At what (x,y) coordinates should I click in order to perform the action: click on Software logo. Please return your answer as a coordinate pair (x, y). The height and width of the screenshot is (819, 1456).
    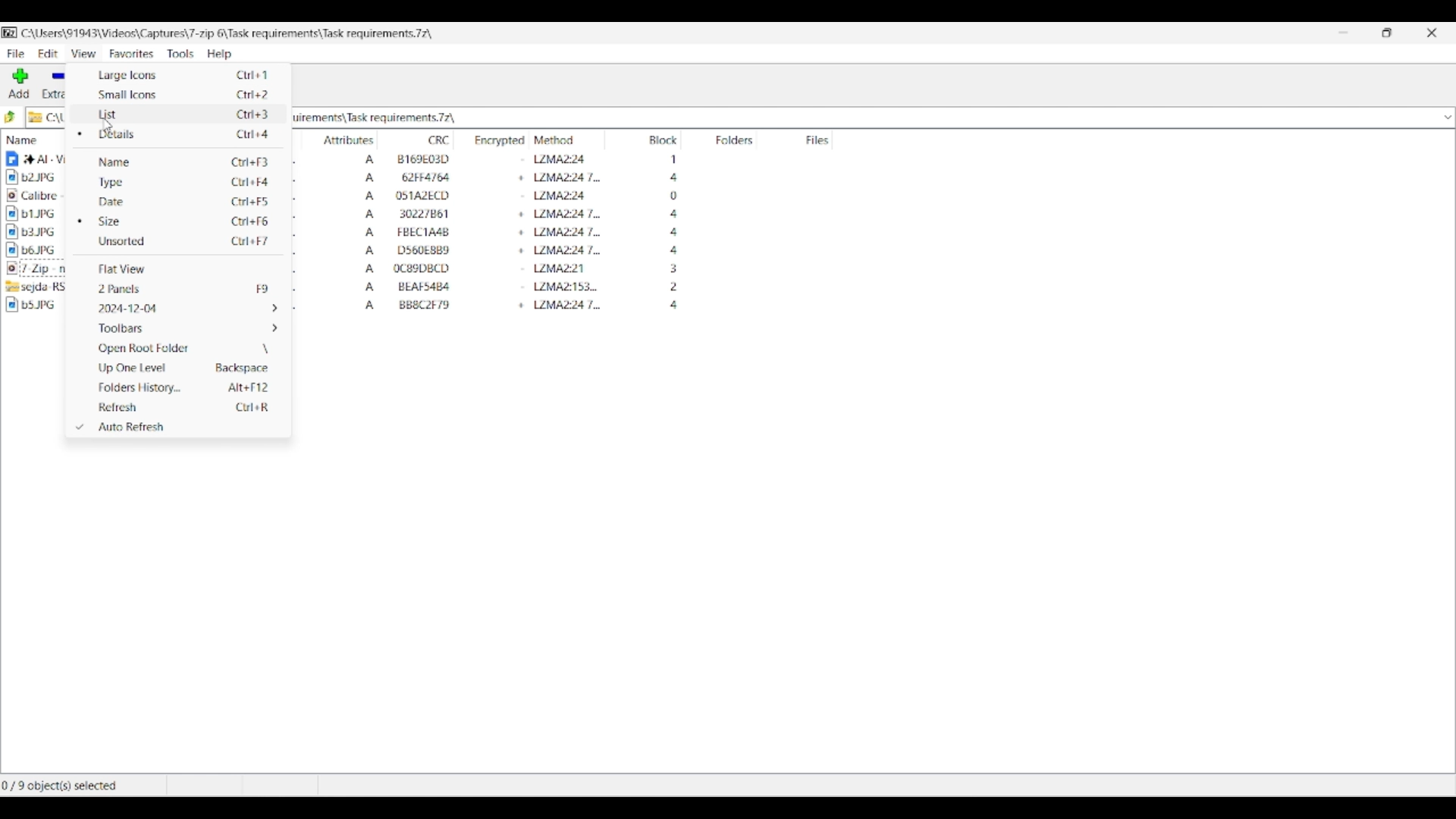
    Looking at the image, I should click on (11, 33).